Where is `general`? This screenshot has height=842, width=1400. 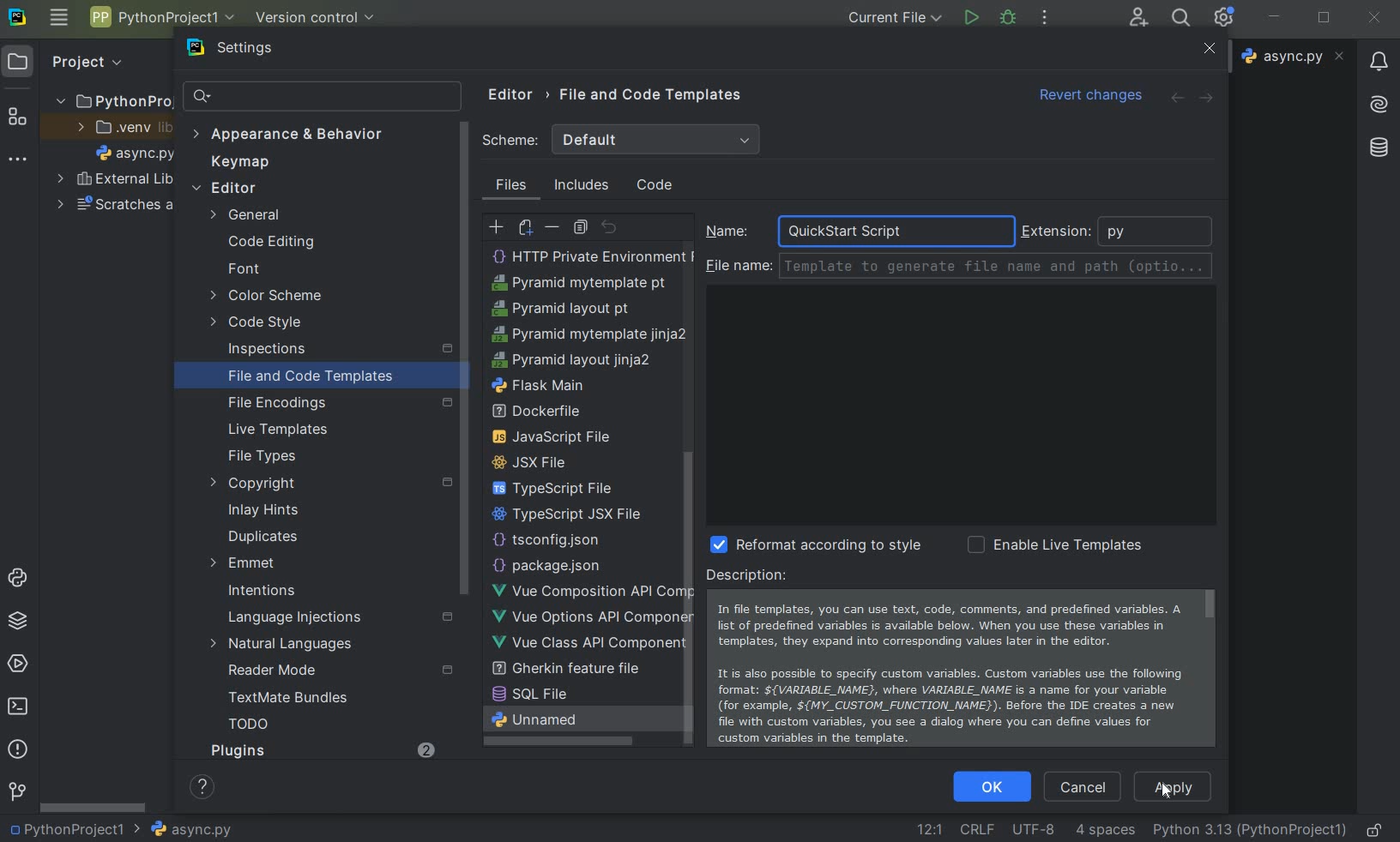
general is located at coordinates (250, 215).